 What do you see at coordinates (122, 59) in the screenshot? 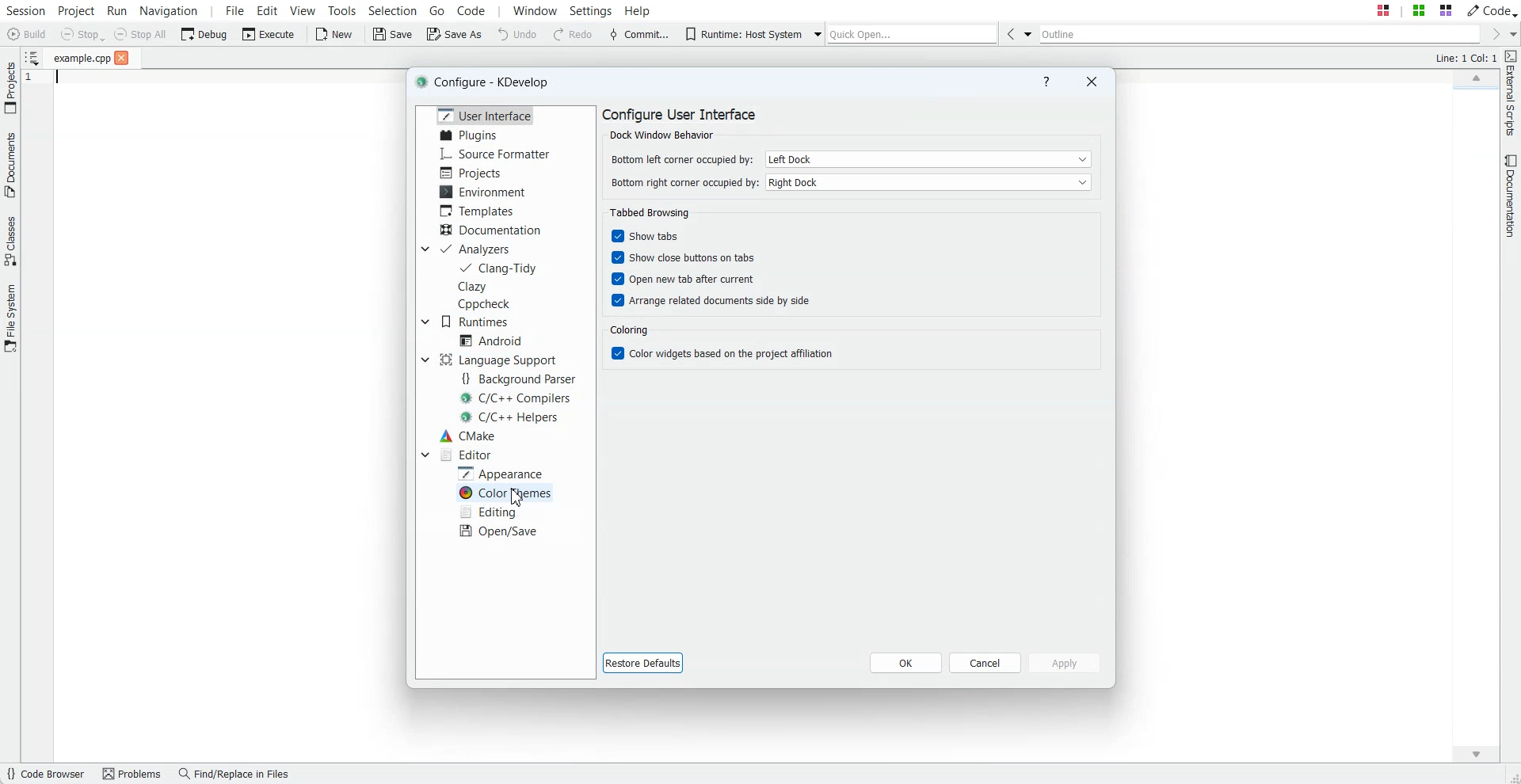
I see `close` at bounding box center [122, 59].